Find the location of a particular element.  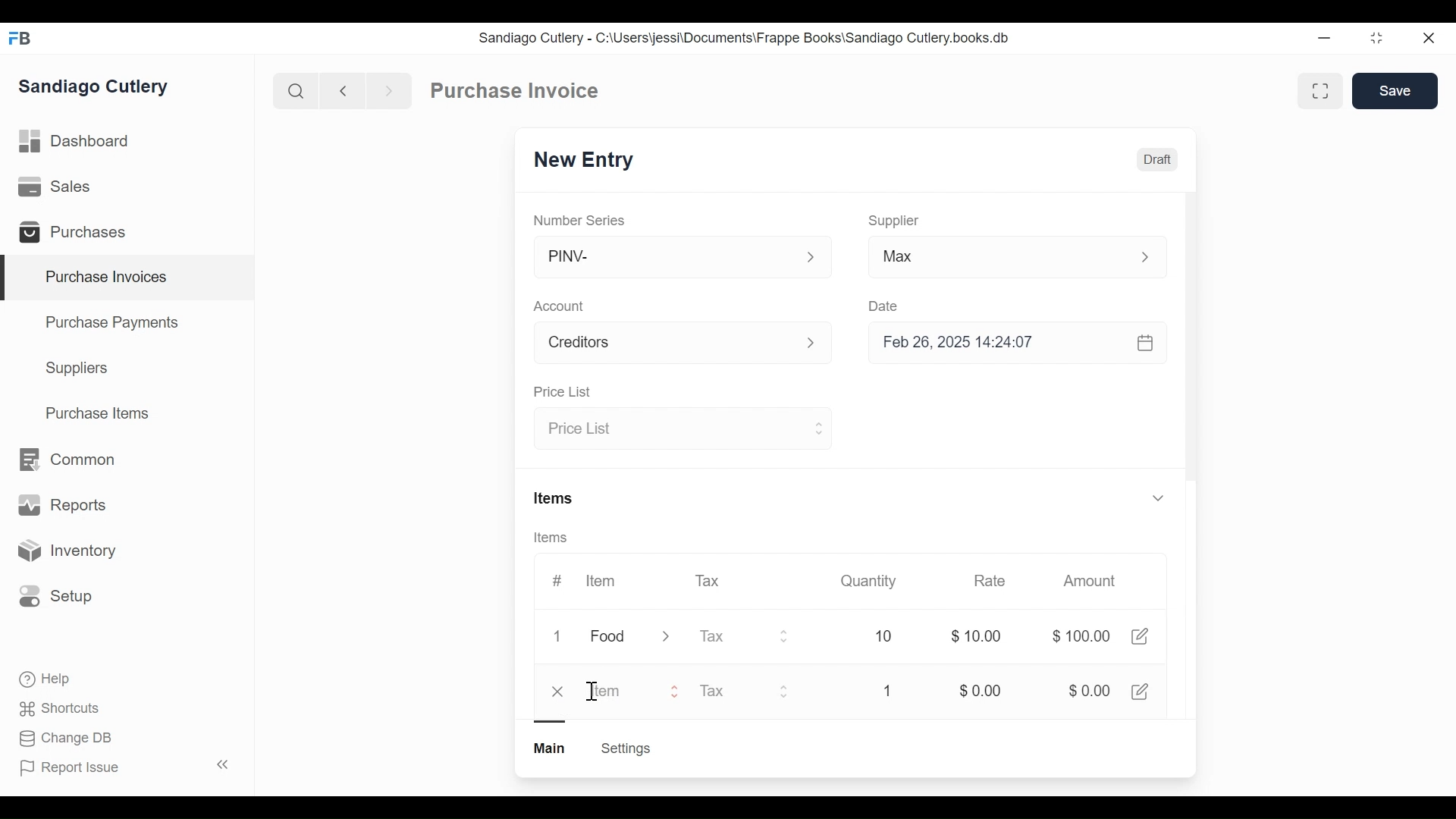

PINV- is located at coordinates (664, 257).